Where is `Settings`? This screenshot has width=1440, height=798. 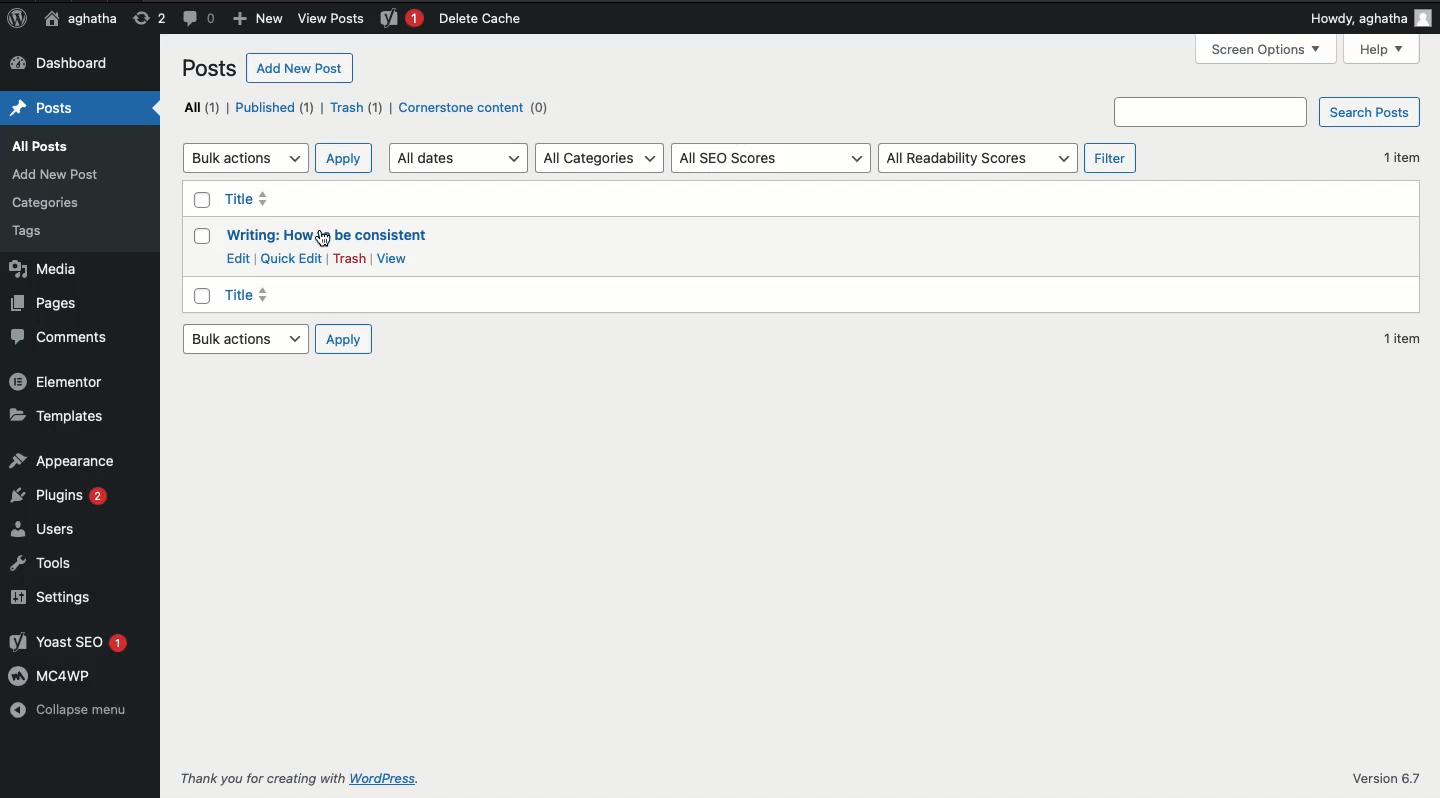 Settings is located at coordinates (55, 596).